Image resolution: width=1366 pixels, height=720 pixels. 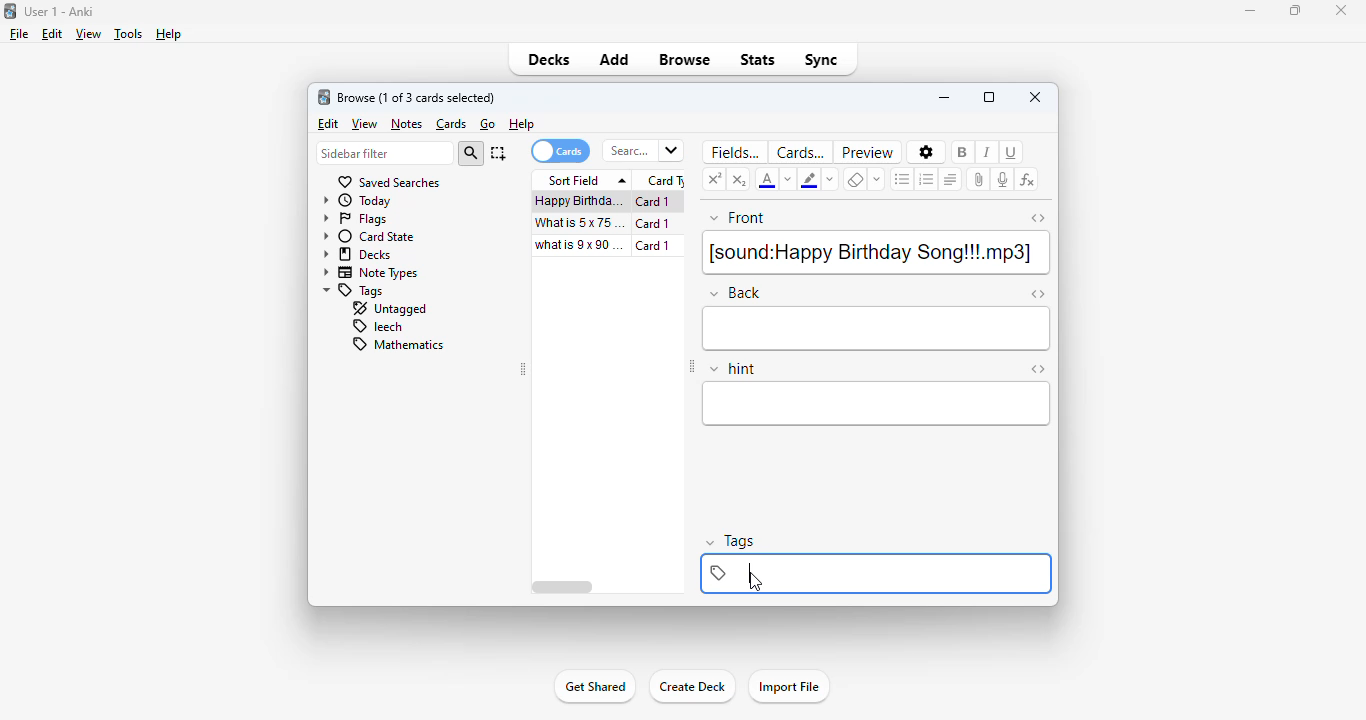 What do you see at coordinates (581, 245) in the screenshot?
I see `what is 9x90=?` at bounding box center [581, 245].